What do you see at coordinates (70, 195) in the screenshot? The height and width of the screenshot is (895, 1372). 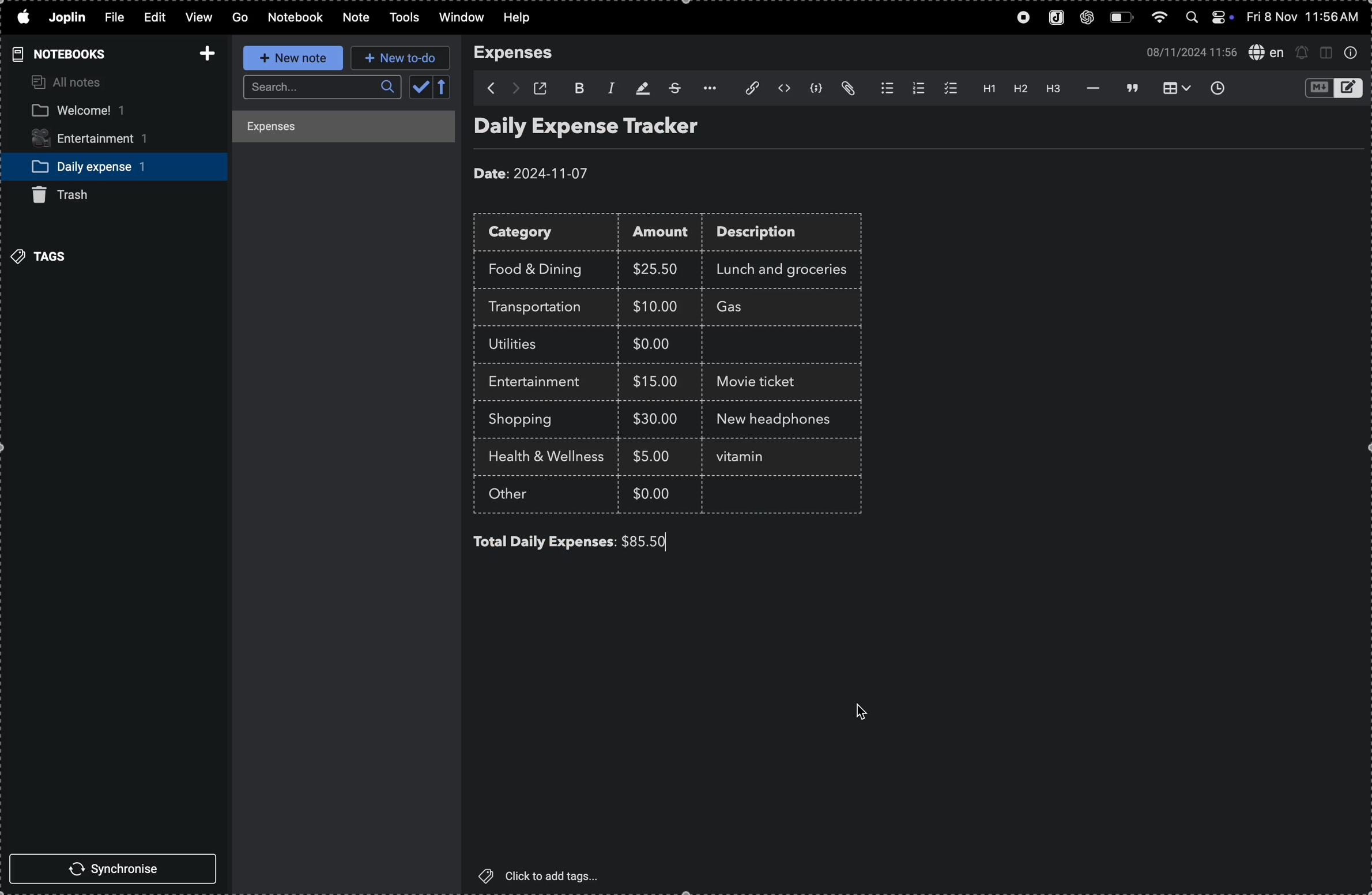 I see `trash` at bounding box center [70, 195].